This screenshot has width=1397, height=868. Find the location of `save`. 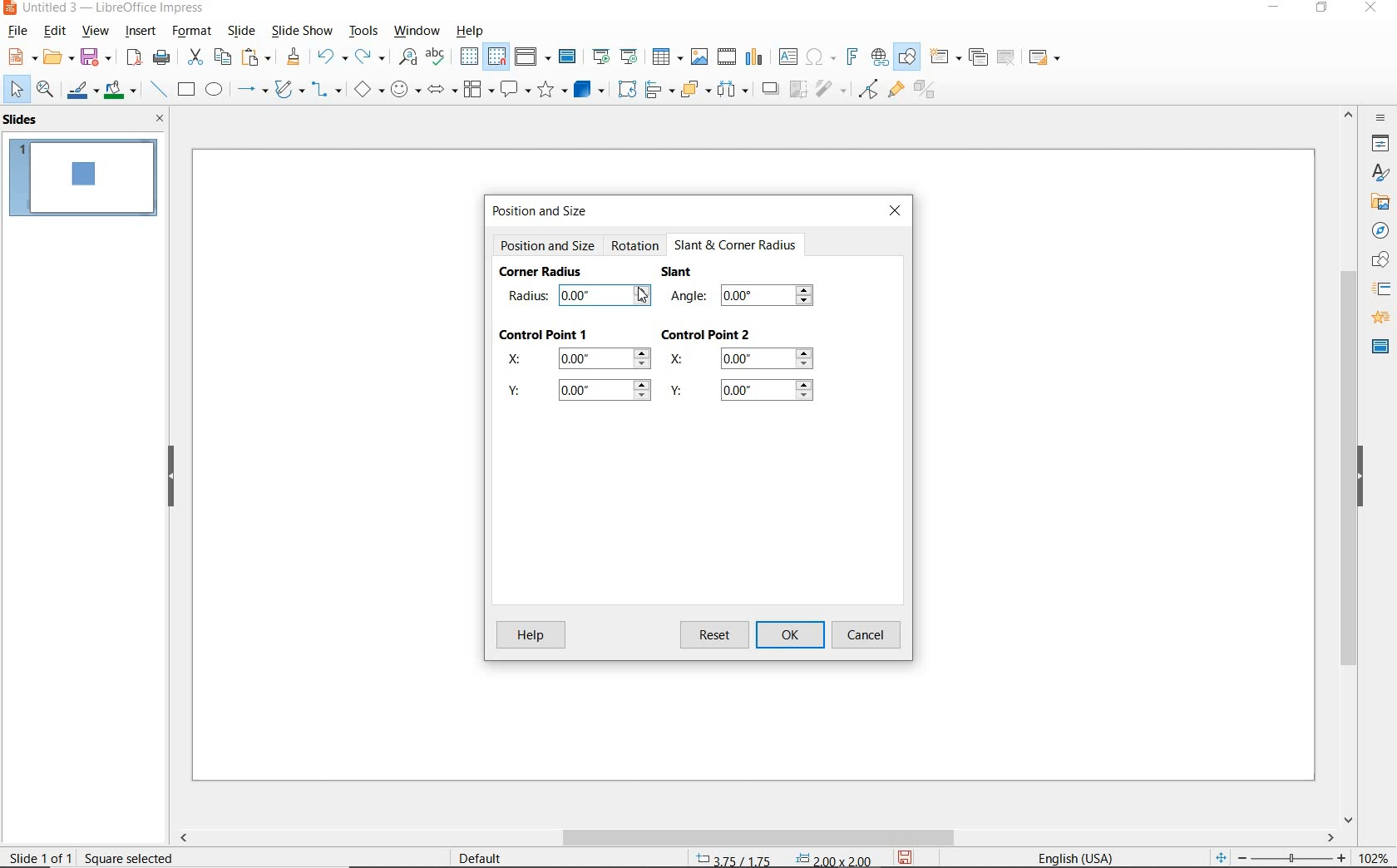

save is located at coordinates (98, 57).